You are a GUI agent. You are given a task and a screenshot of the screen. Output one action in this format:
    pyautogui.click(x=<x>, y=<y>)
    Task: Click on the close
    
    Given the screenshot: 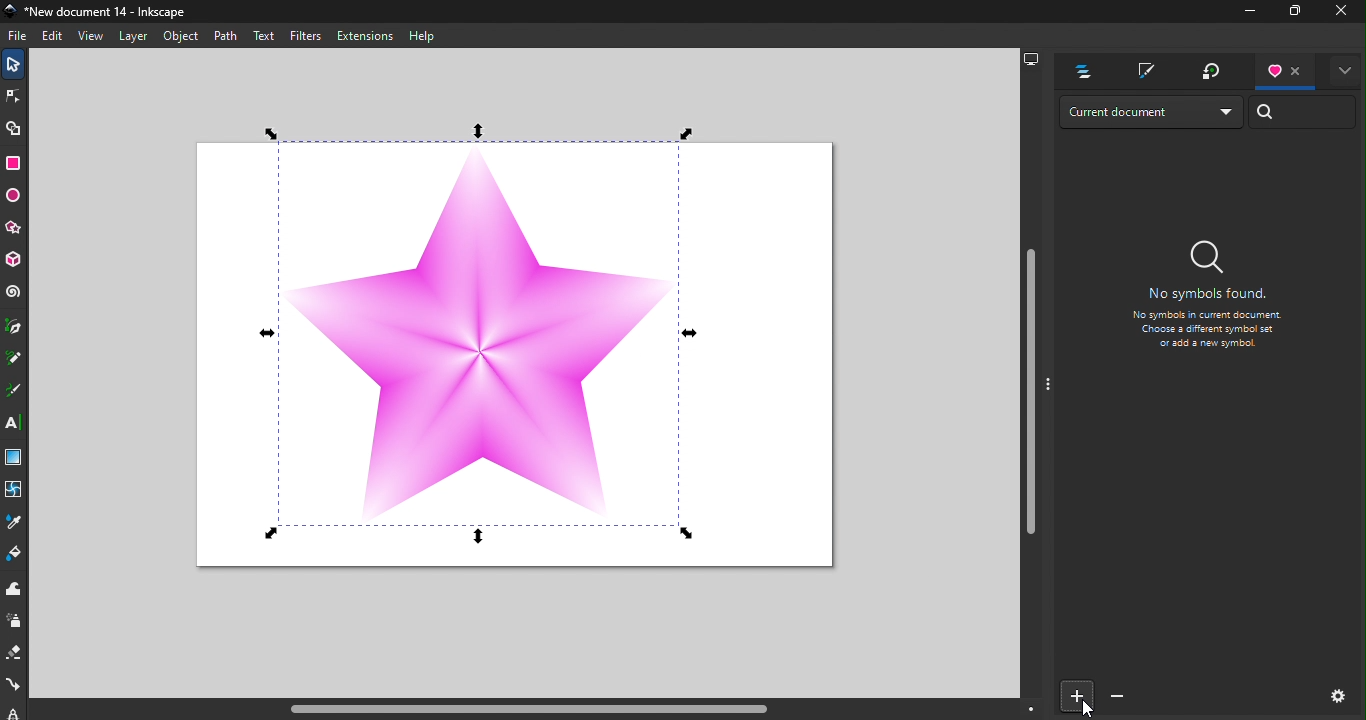 What is the action you would take?
    pyautogui.click(x=1342, y=11)
    